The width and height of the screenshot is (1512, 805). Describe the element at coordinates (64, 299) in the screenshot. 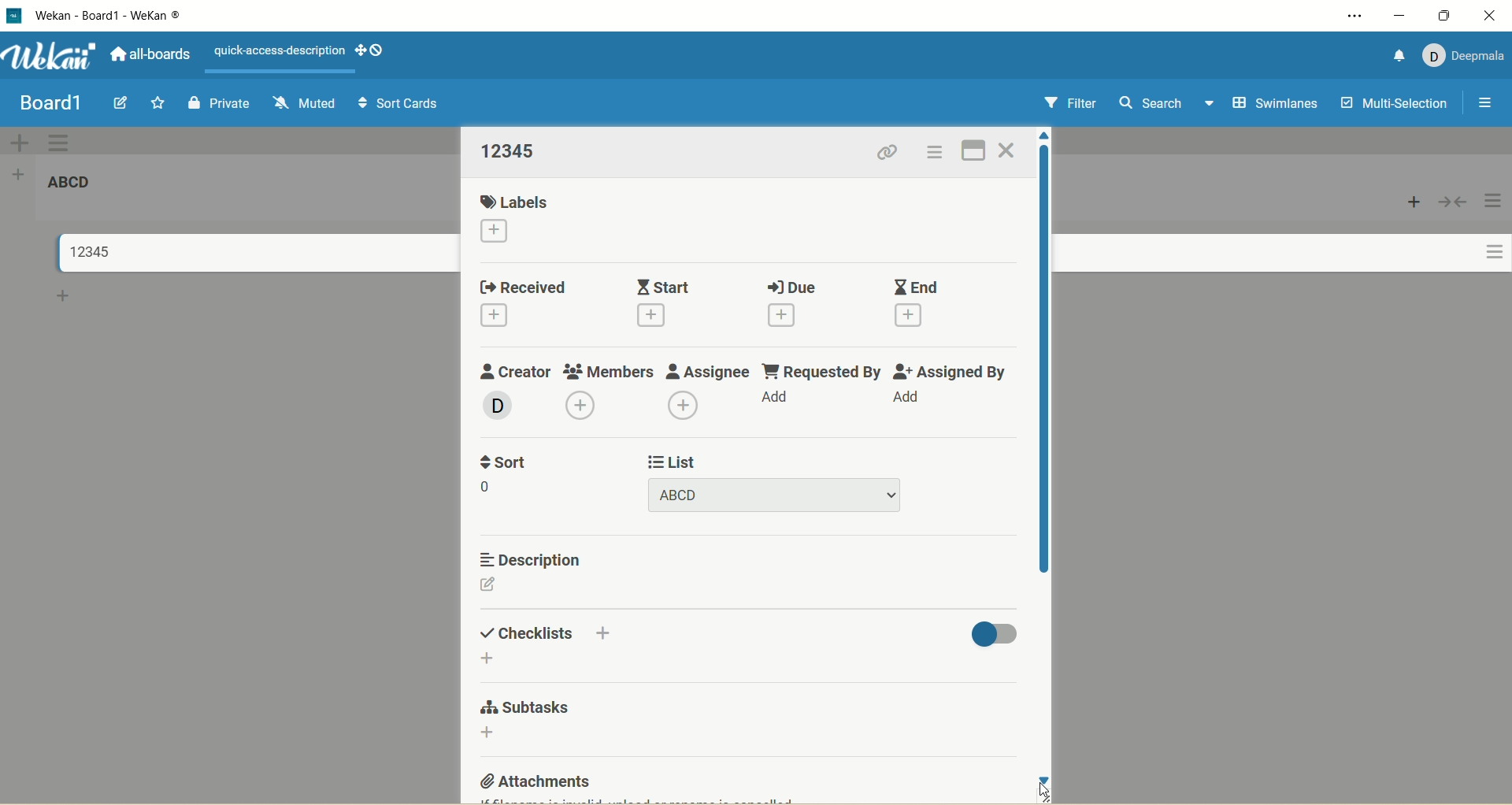

I see `add card` at that location.